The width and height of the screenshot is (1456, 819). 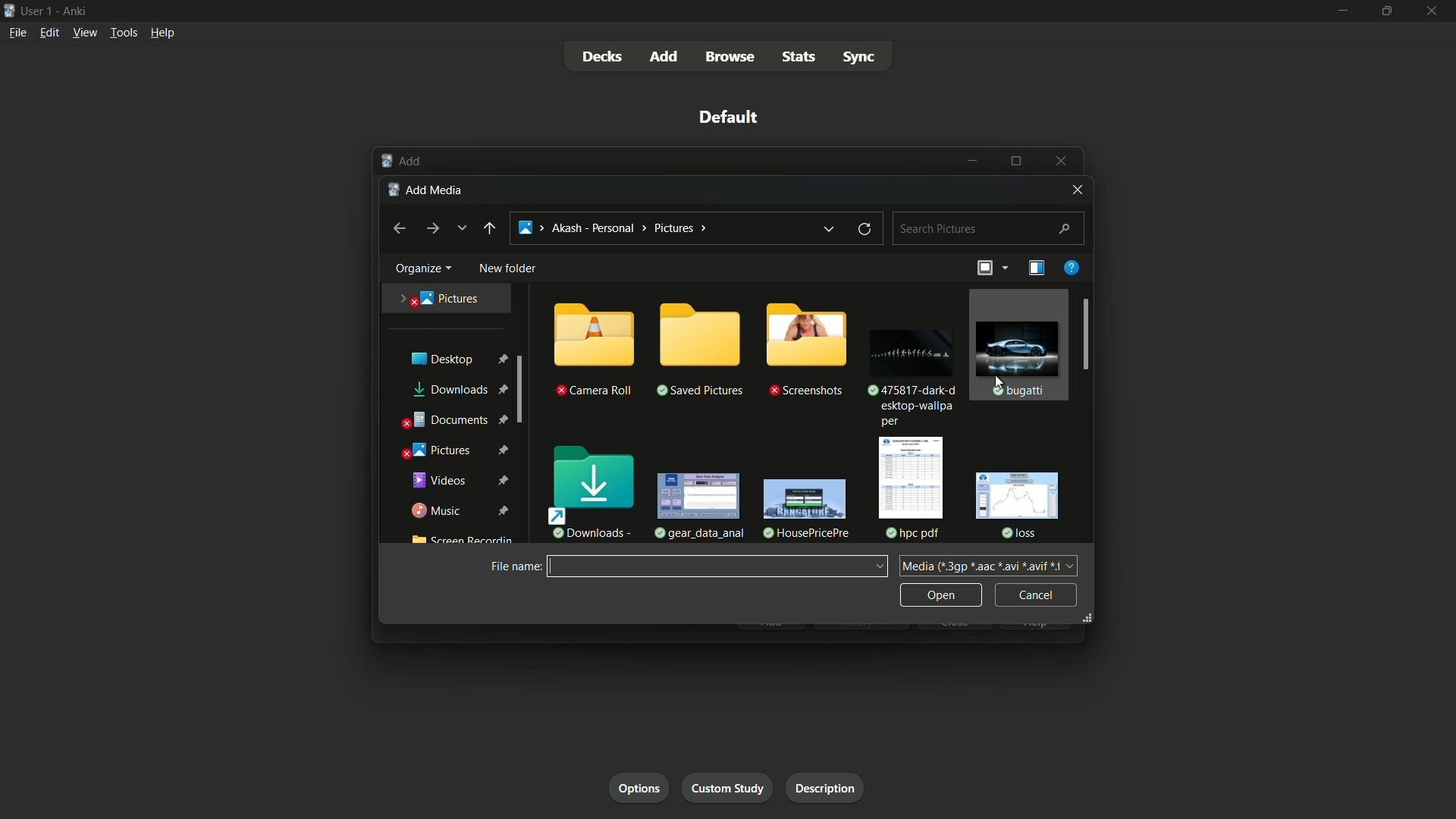 I want to click on show the preview pane, so click(x=1032, y=268).